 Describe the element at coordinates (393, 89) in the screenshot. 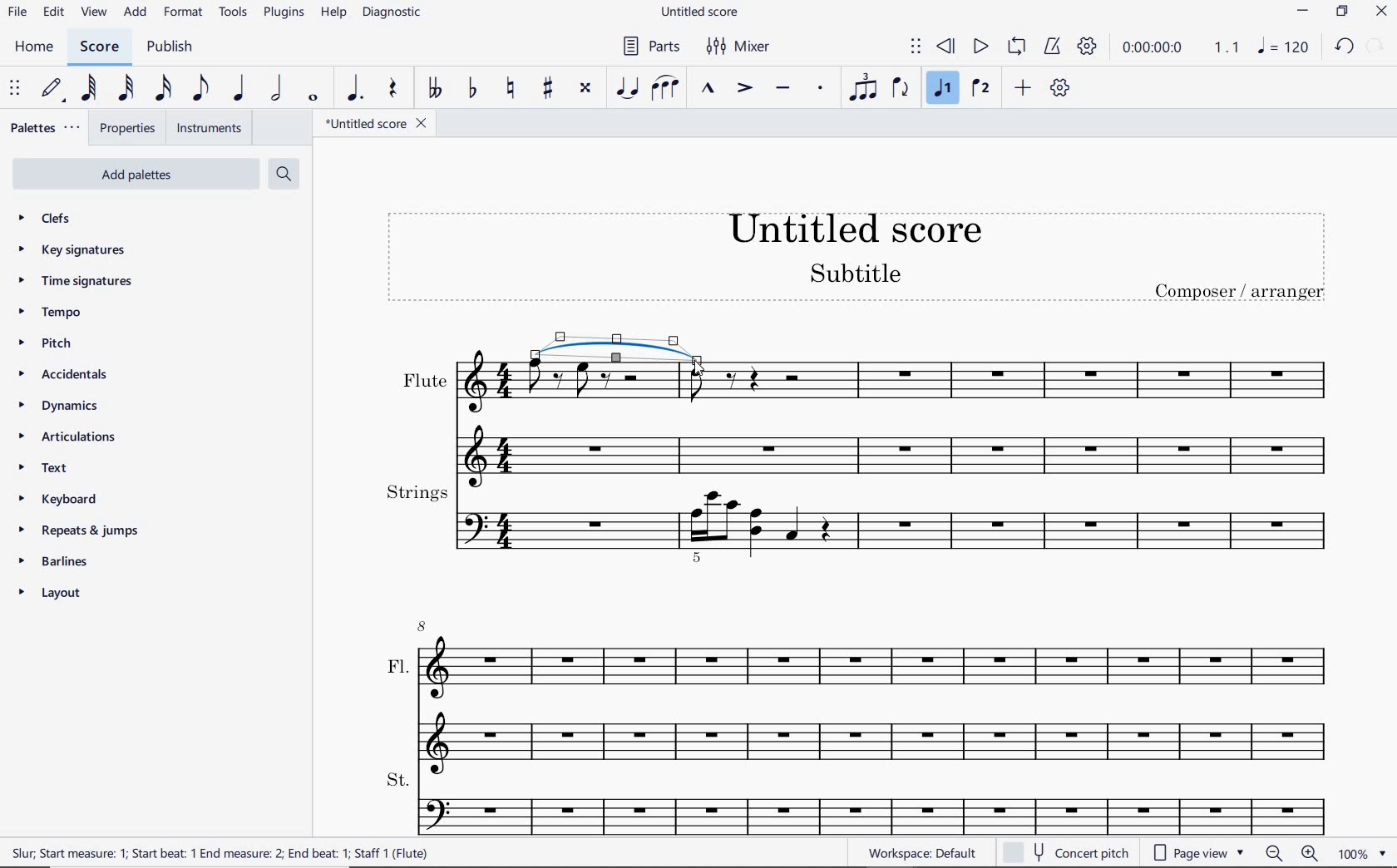

I see `REST` at that location.